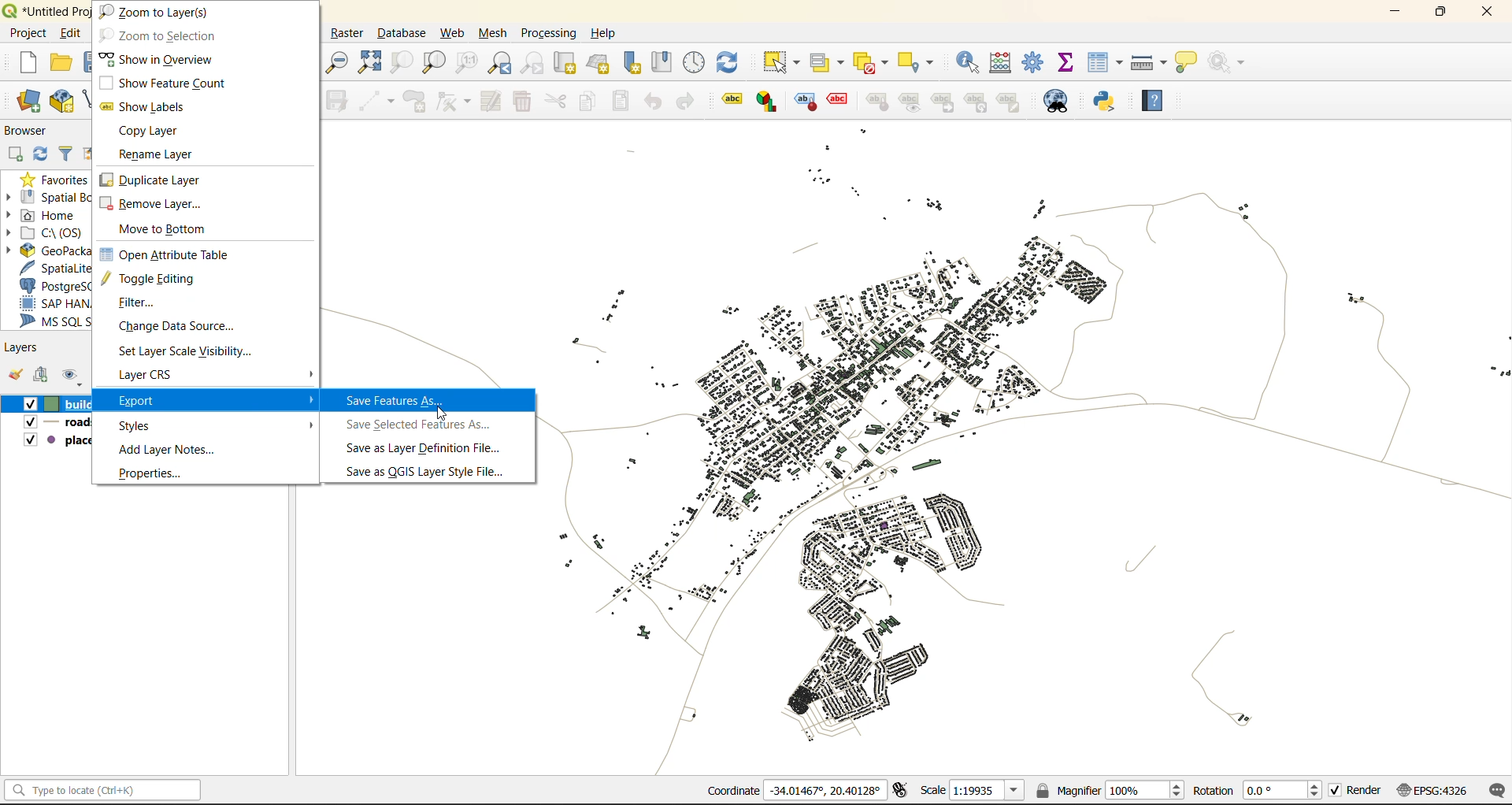 The width and height of the screenshot is (1512, 805). I want to click on vertex tools, so click(453, 105).